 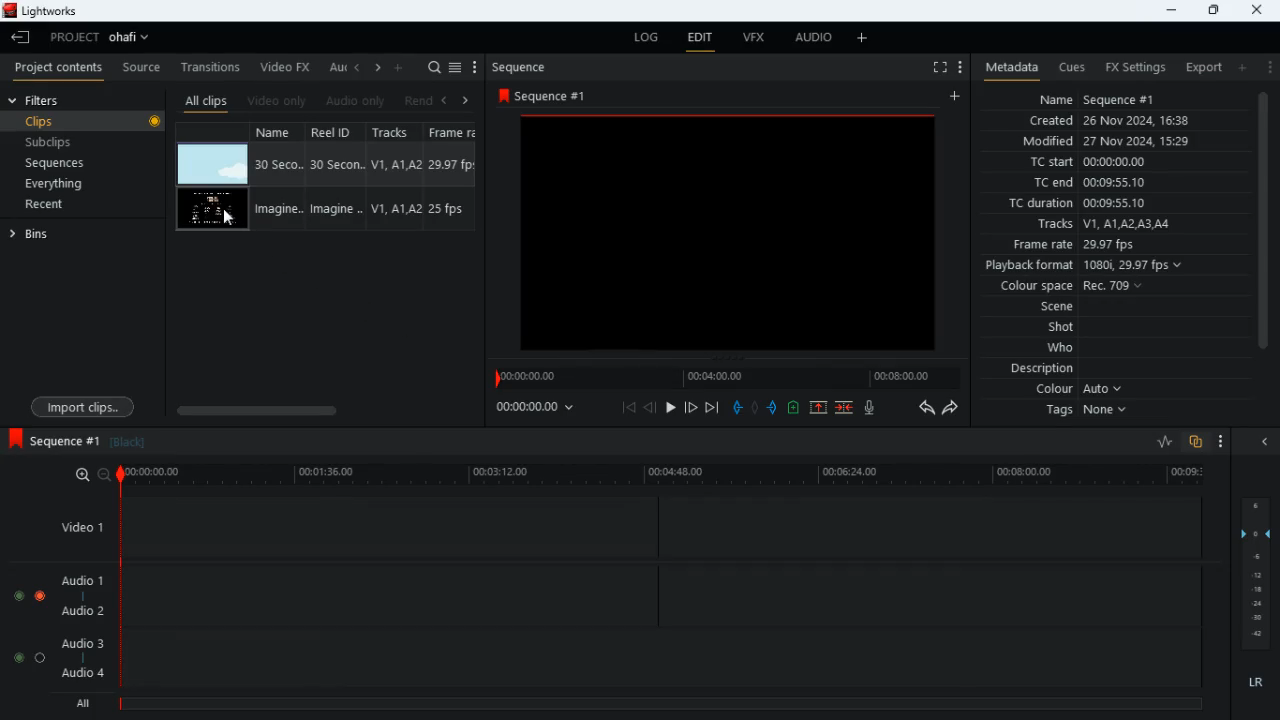 What do you see at coordinates (279, 163) in the screenshot?
I see `30 seco..` at bounding box center [279, 163].